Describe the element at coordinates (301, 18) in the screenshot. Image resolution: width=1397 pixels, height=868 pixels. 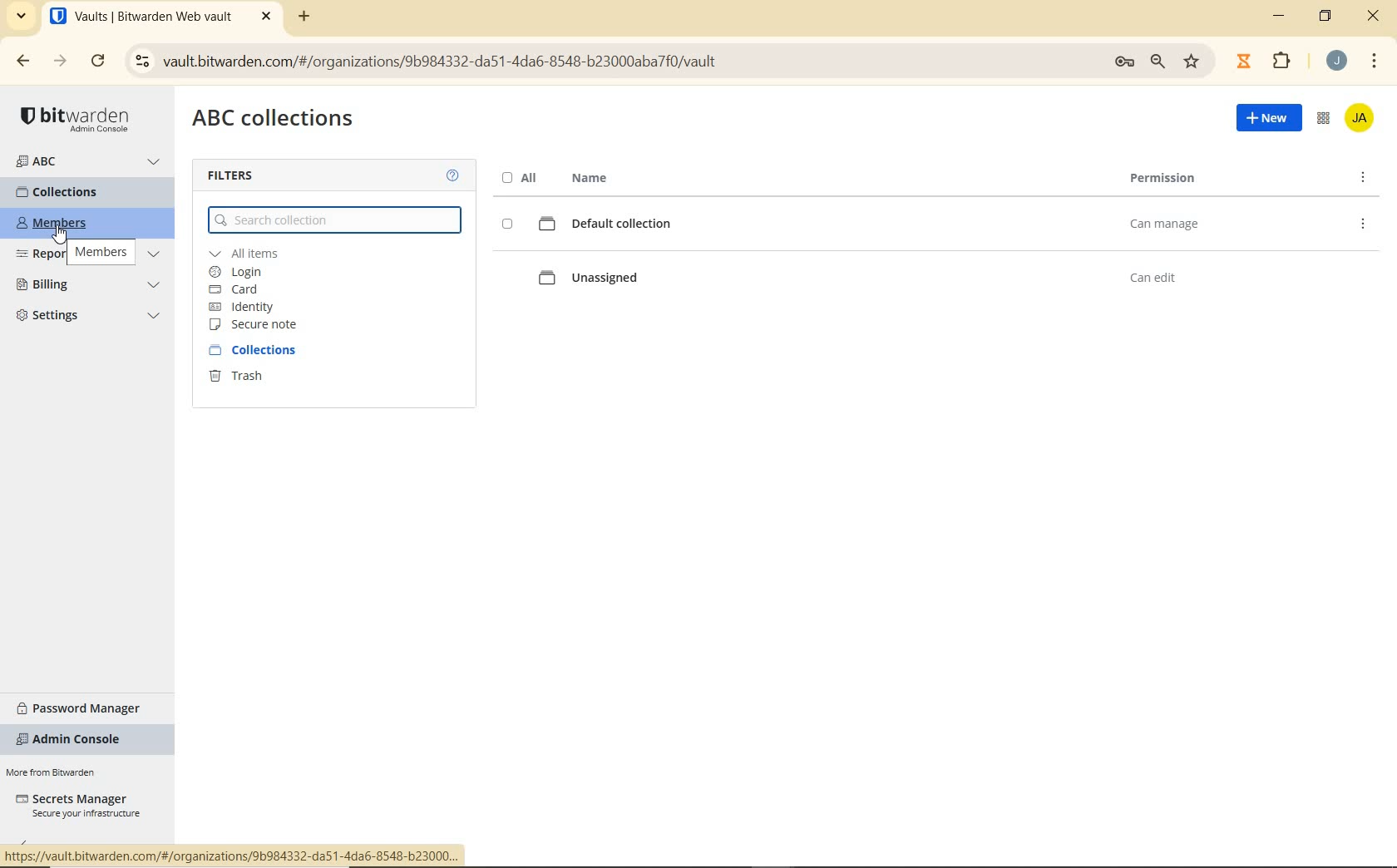
I see `ADD TAB` at that location.